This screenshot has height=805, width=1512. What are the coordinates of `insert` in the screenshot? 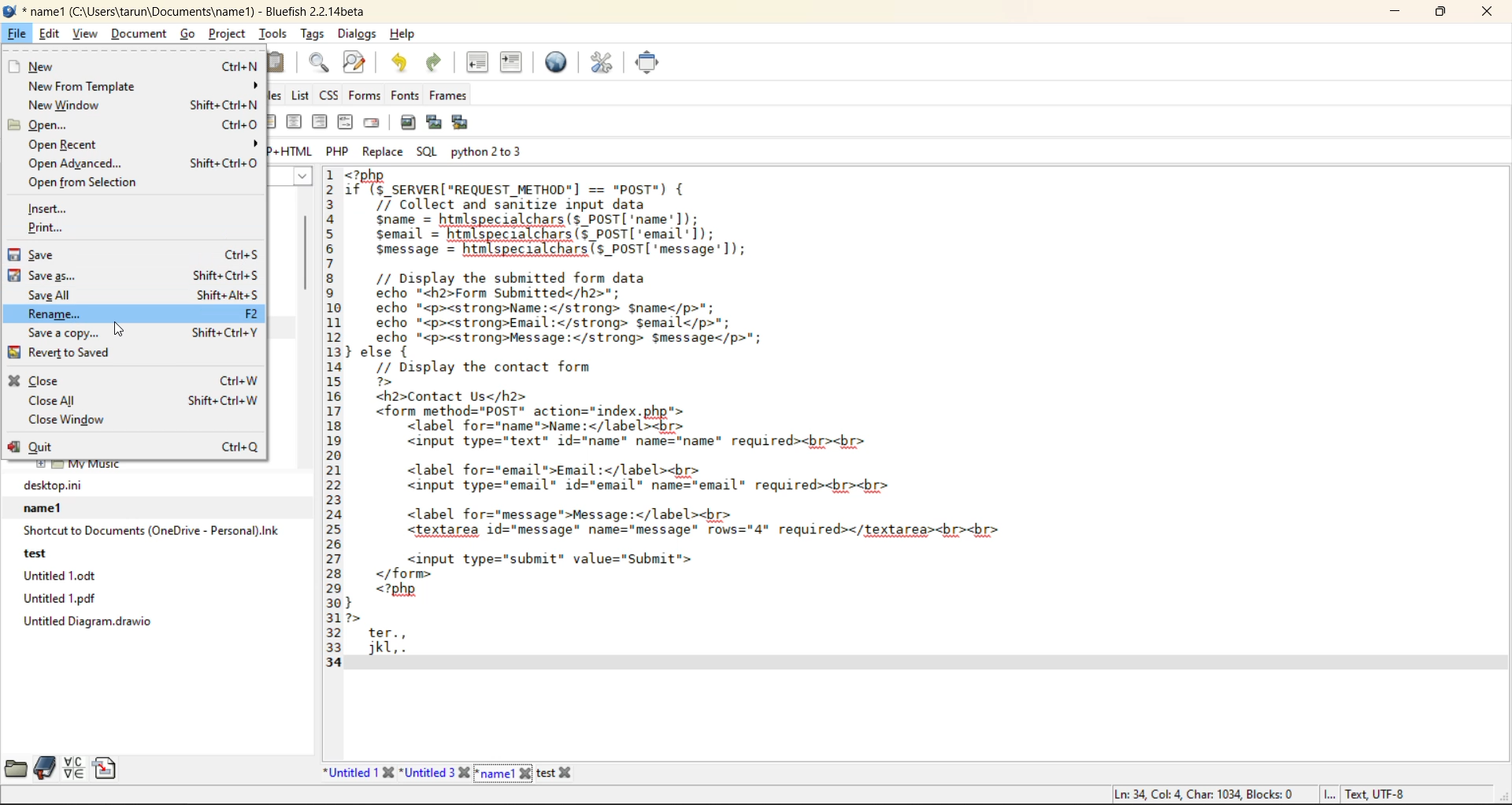 It's located at (50, 209).